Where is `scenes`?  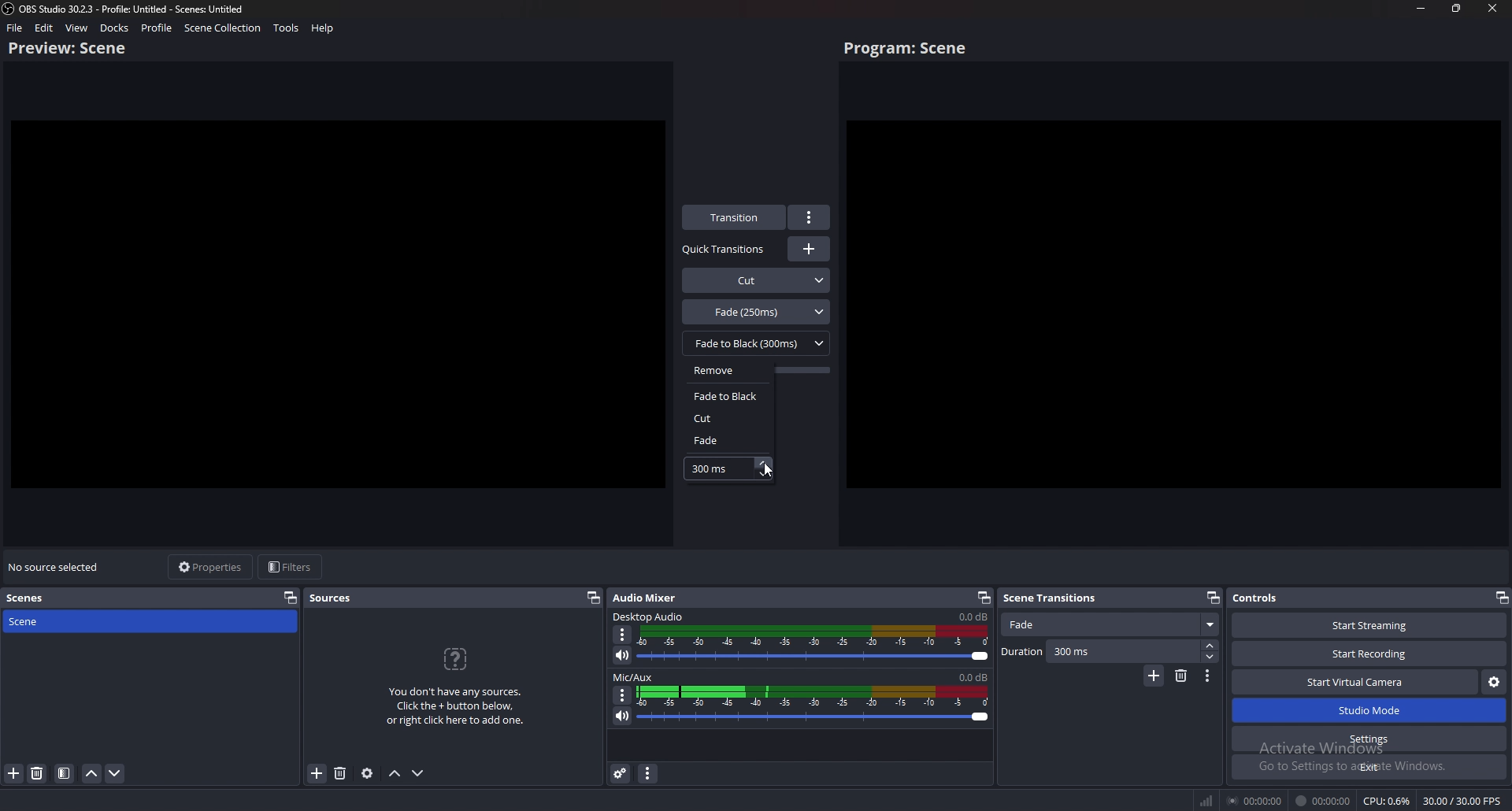 scenes is located at coordinates (29, 598).